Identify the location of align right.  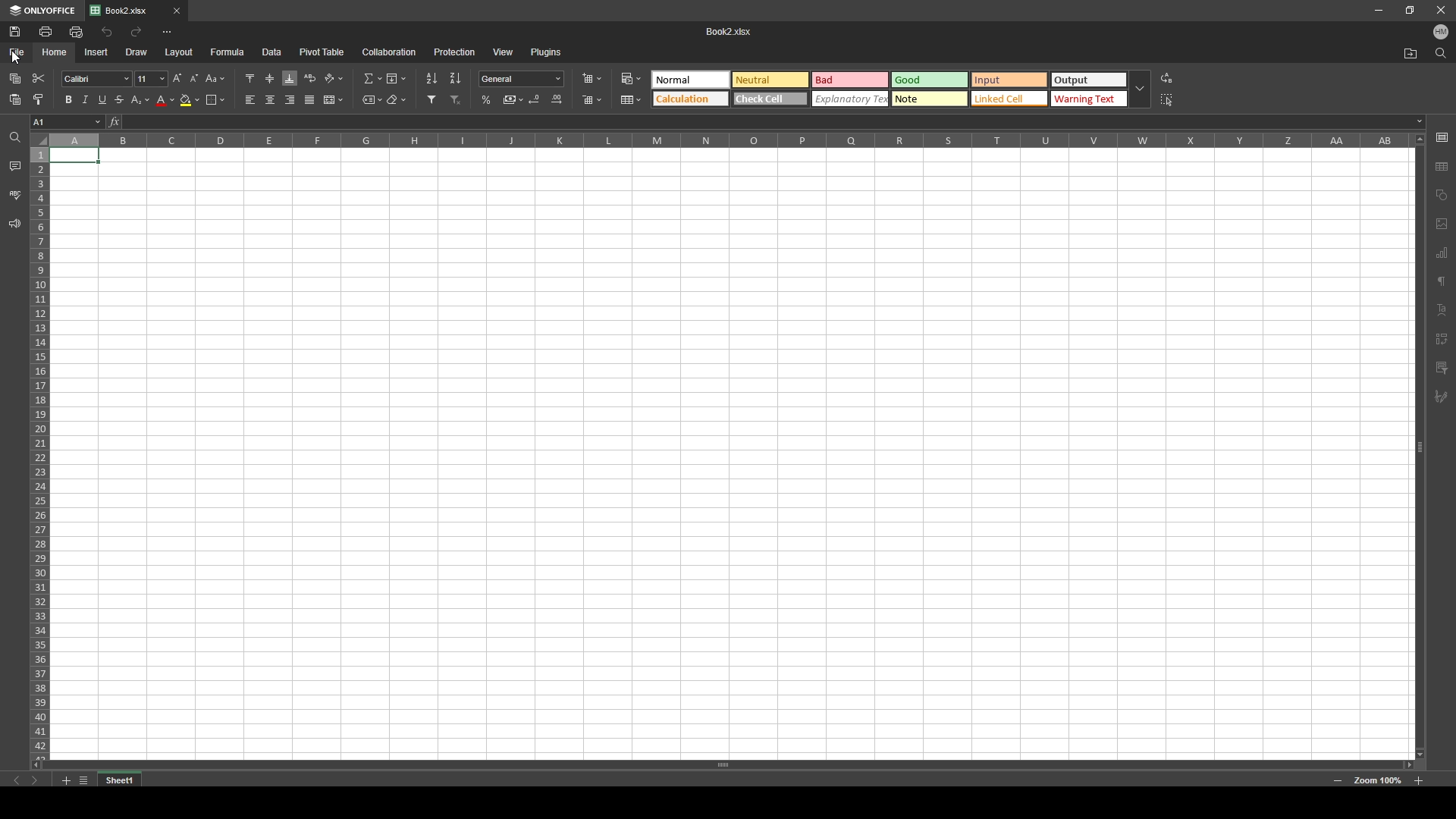
(290, 99).